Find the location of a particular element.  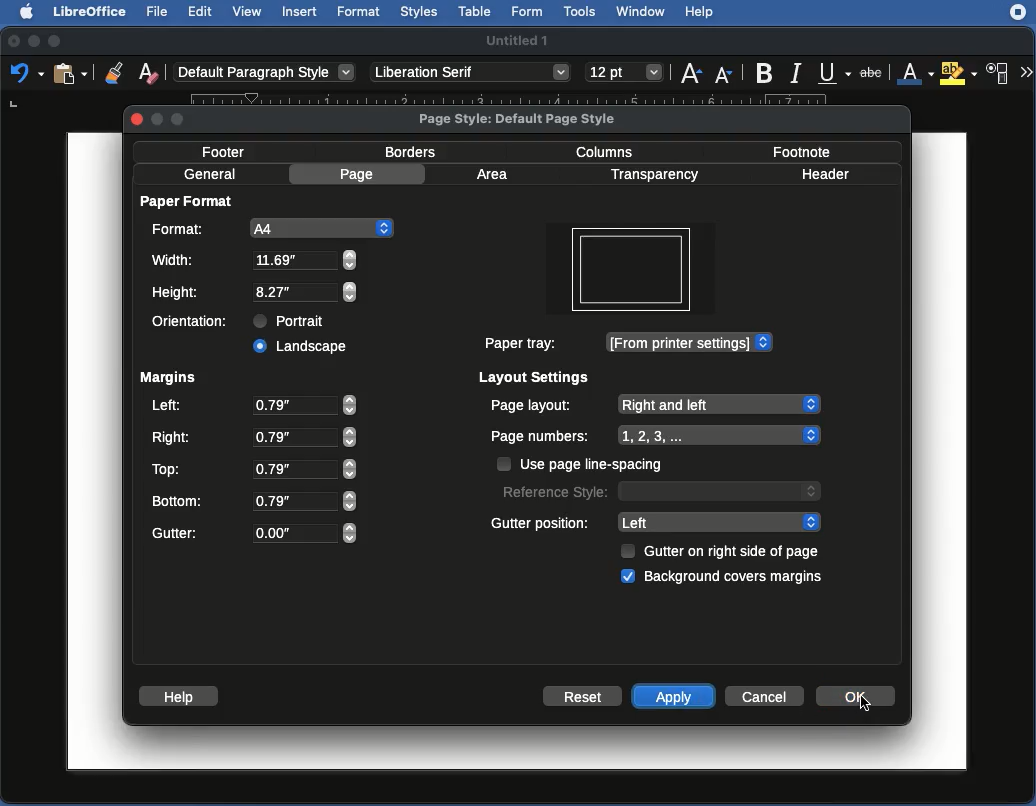

Printer settings is located at coordinates (690, 343).